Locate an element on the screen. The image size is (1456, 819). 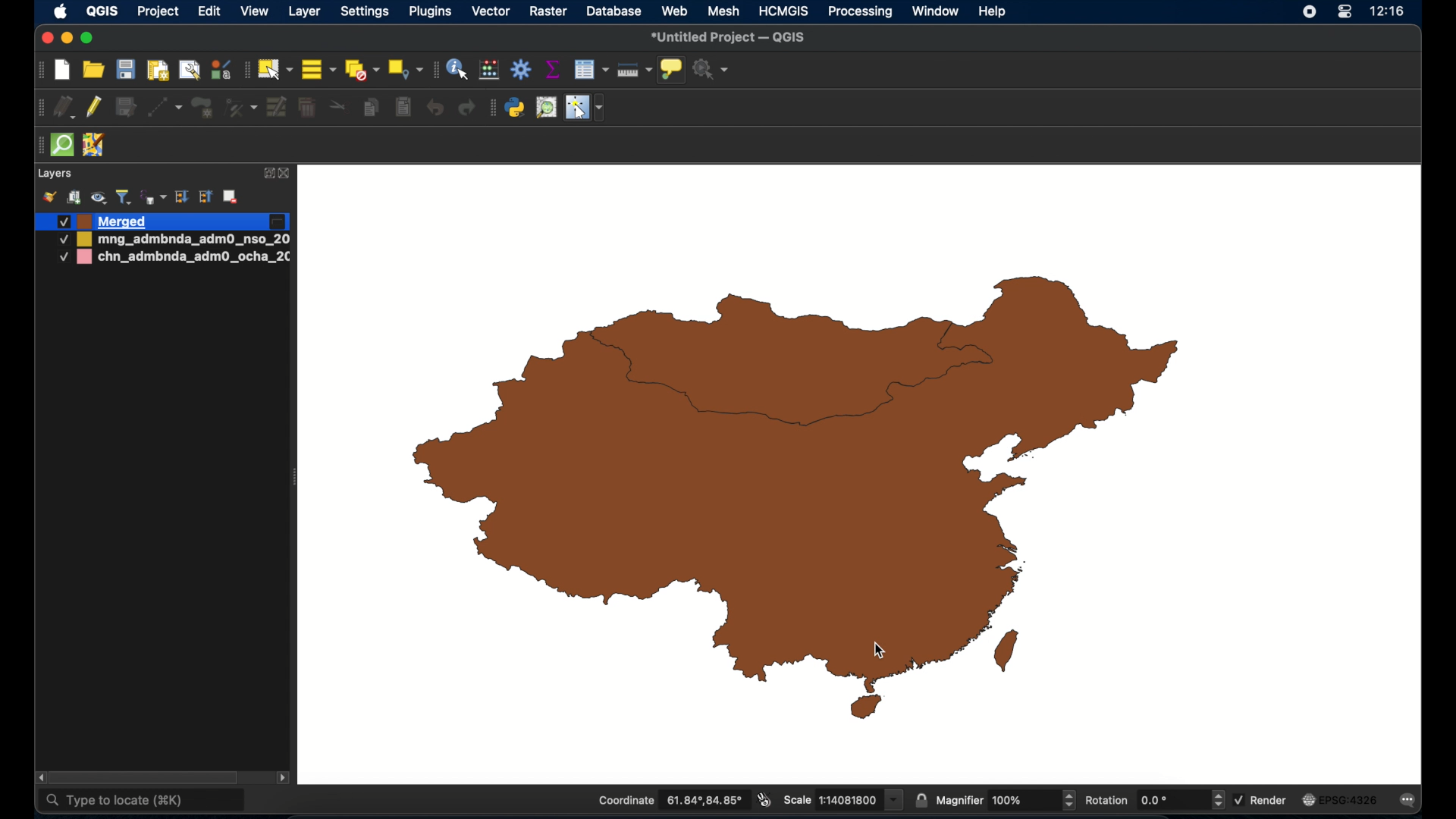
selection toolbar is located at coordinates (245, 70).